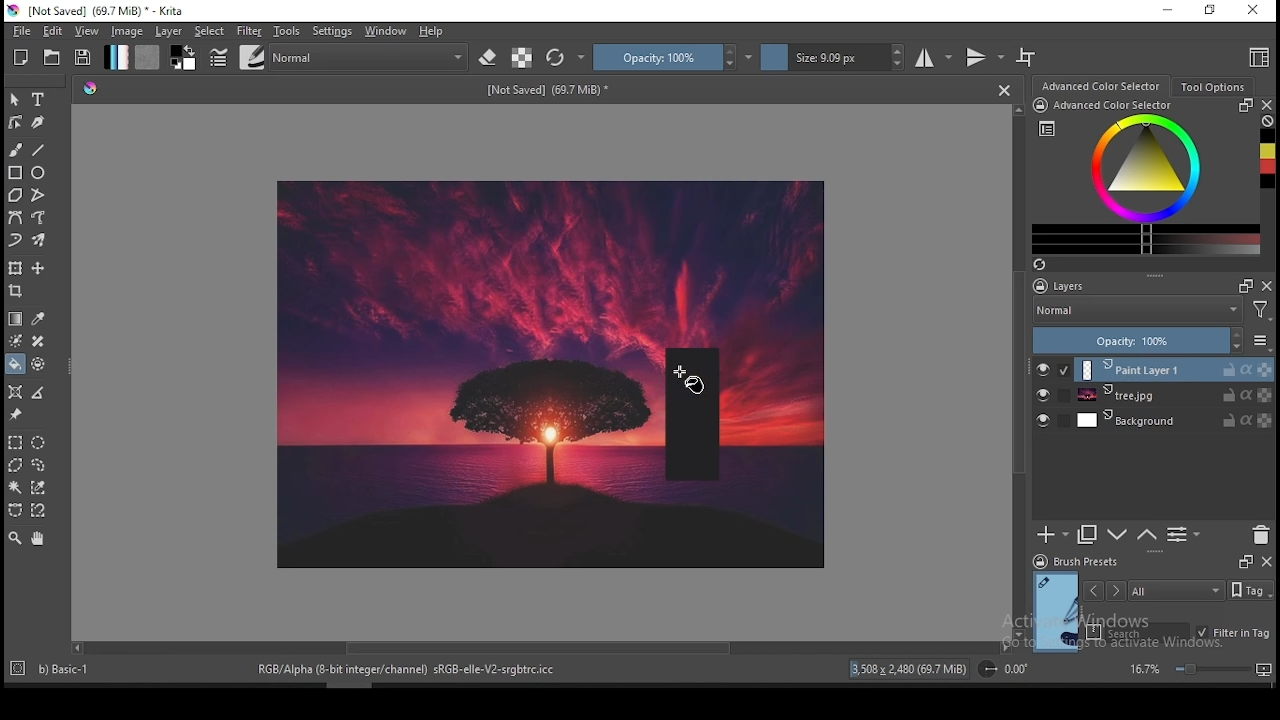  Describe the element at coordinates (1268, 105) in the screenshot. I see `close docker` at that location.